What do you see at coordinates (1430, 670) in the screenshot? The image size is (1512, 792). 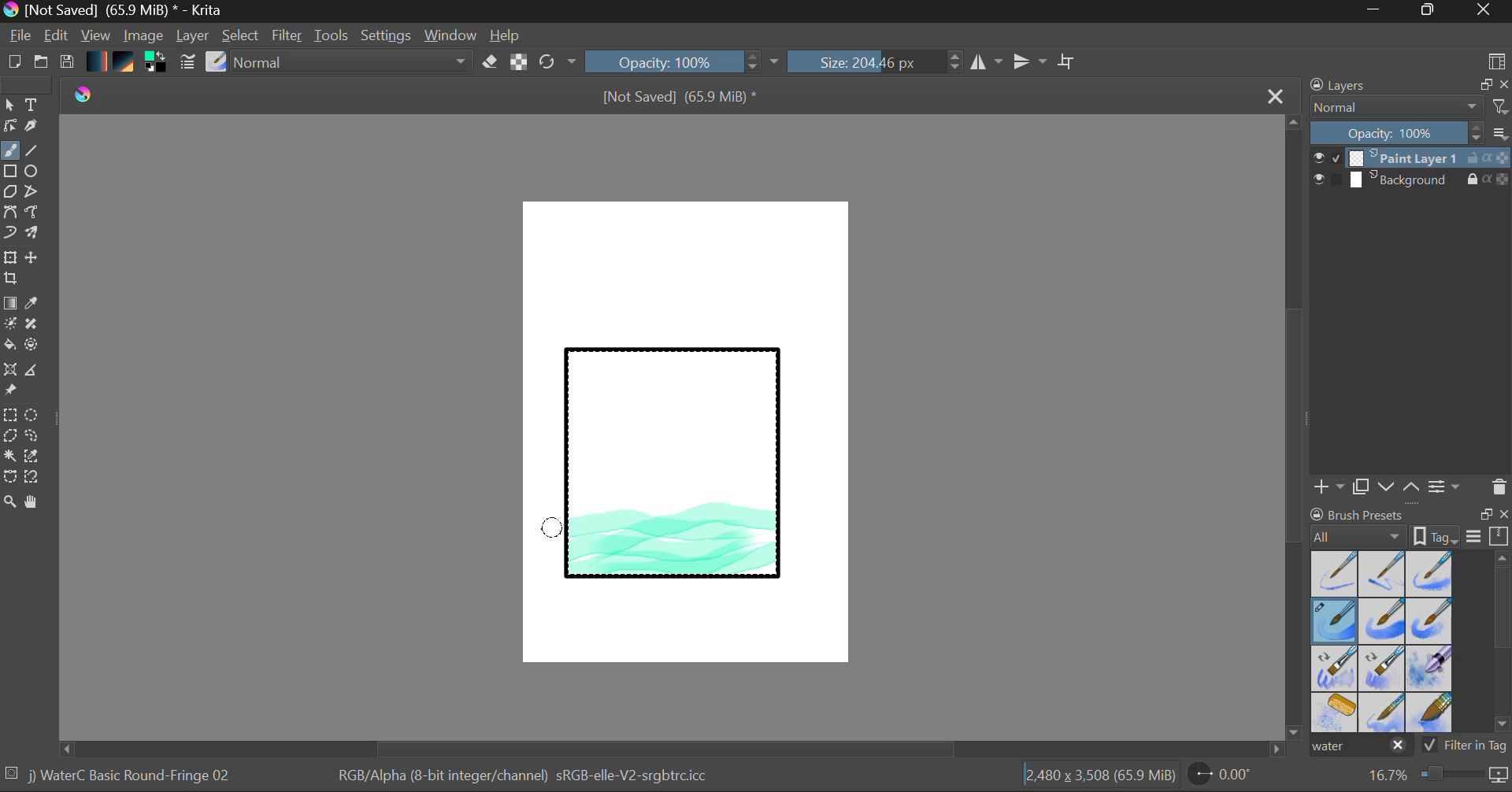 I see `Water C - Special Blobs` at bounding box center [1430, 670].